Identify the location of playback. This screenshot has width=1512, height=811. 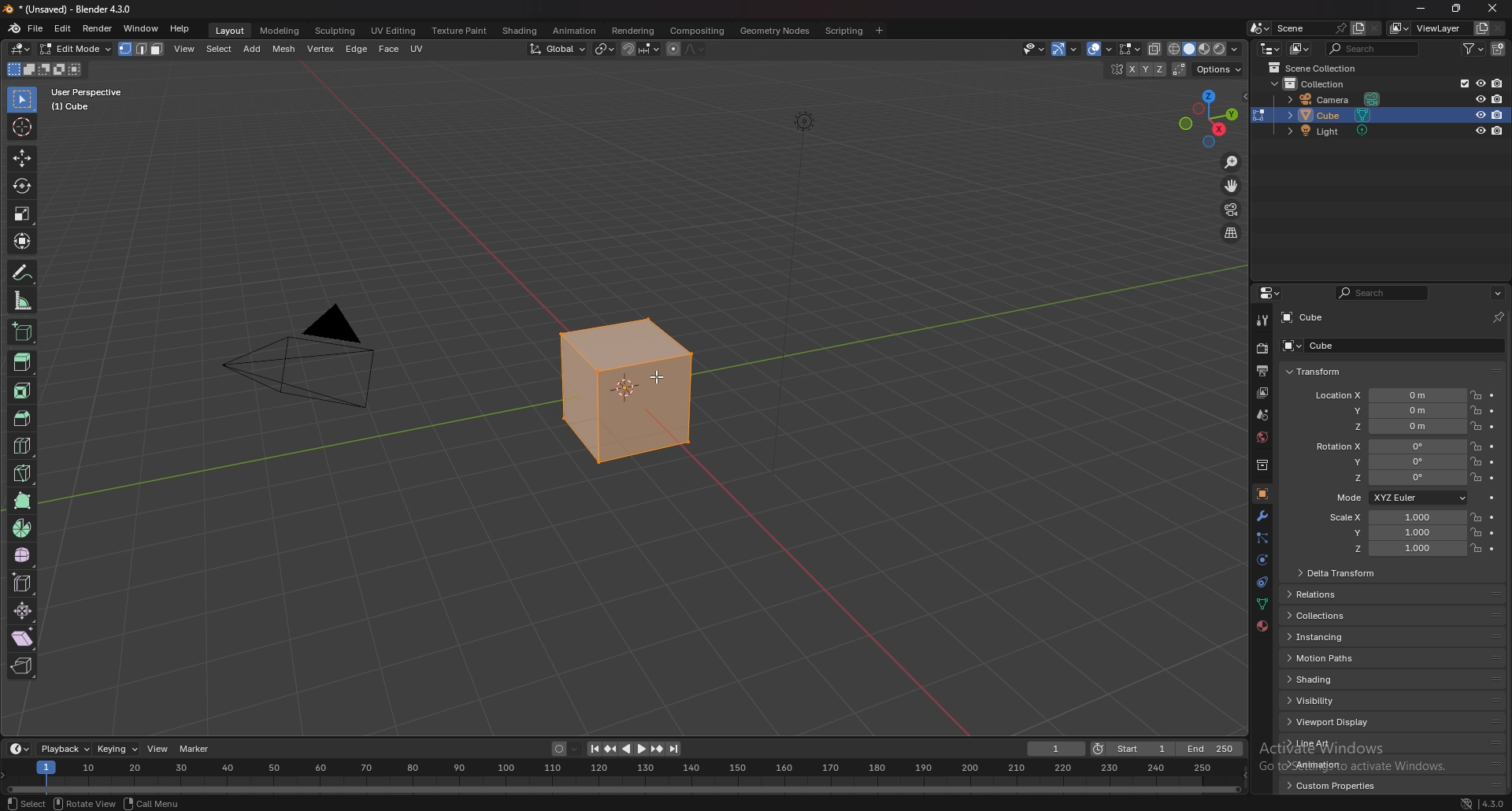
(65, 749).